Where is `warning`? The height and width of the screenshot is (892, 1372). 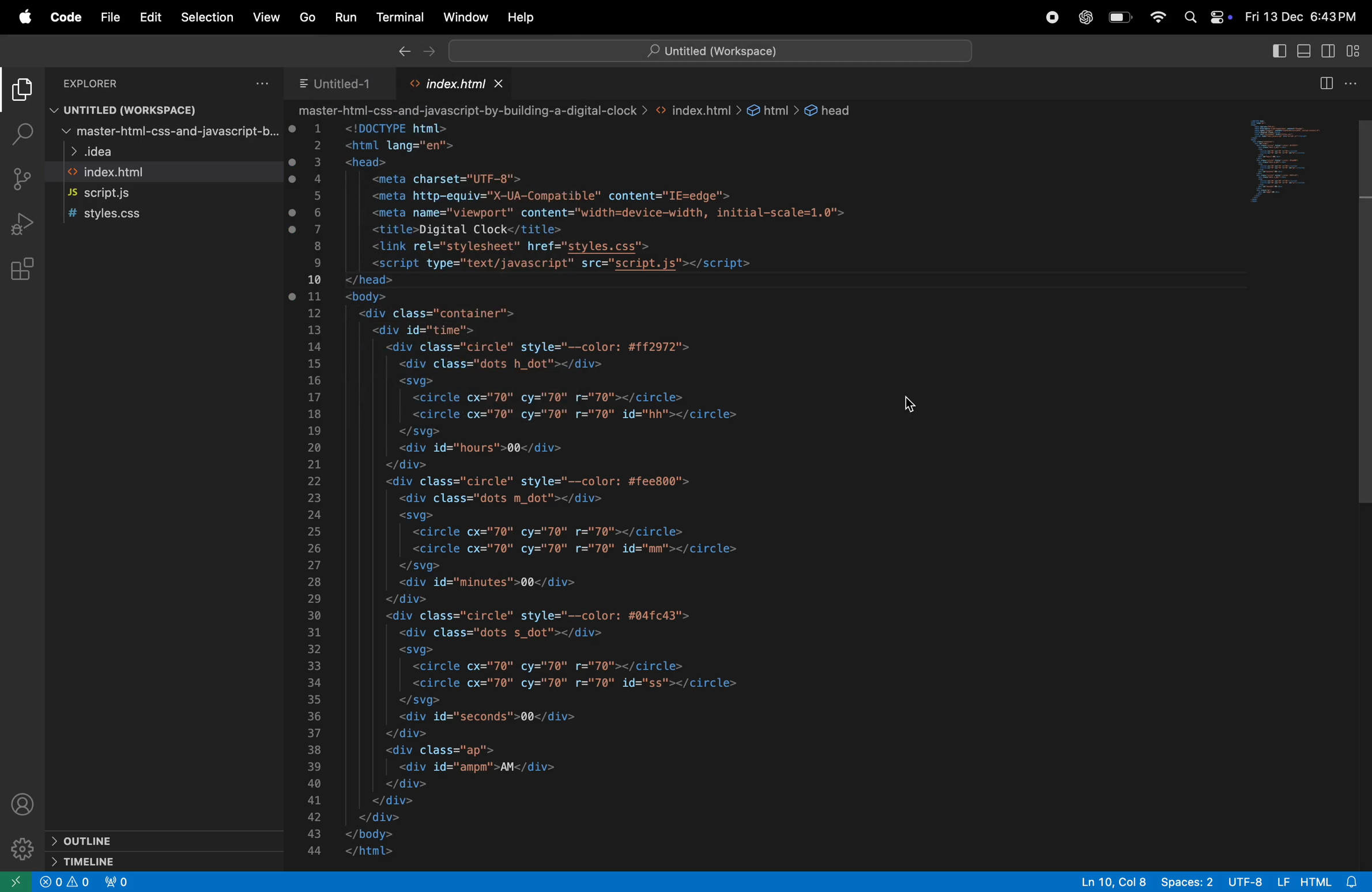
warning is located at coordinates (65, 884).